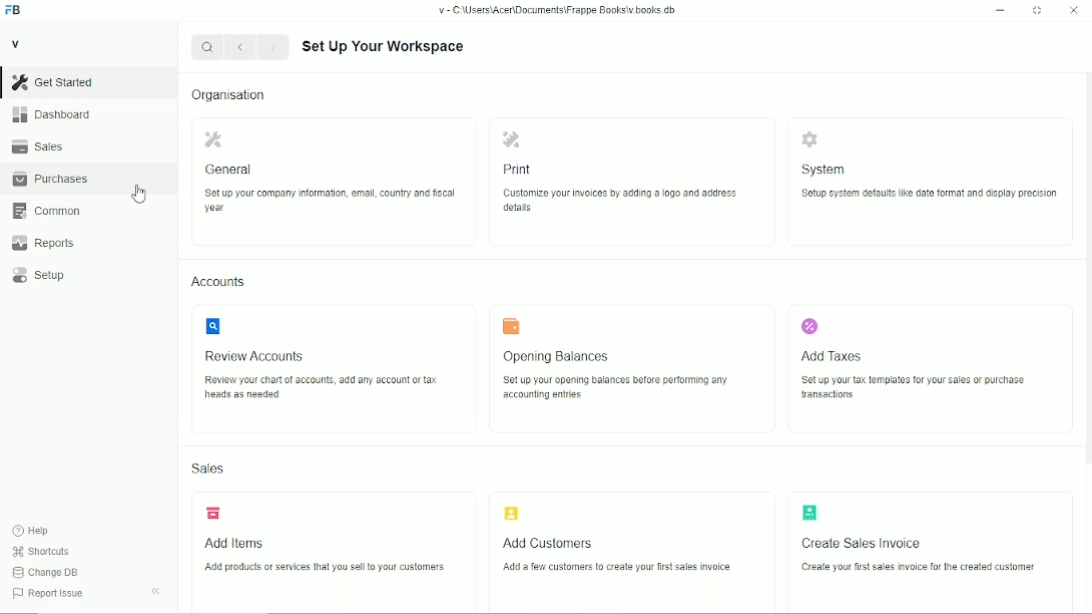 This screenshot has height=614, width=1092. What do you see at coordinates (239, 46) in the screenshot?
I see `Back` at bounding box center [239, 46].